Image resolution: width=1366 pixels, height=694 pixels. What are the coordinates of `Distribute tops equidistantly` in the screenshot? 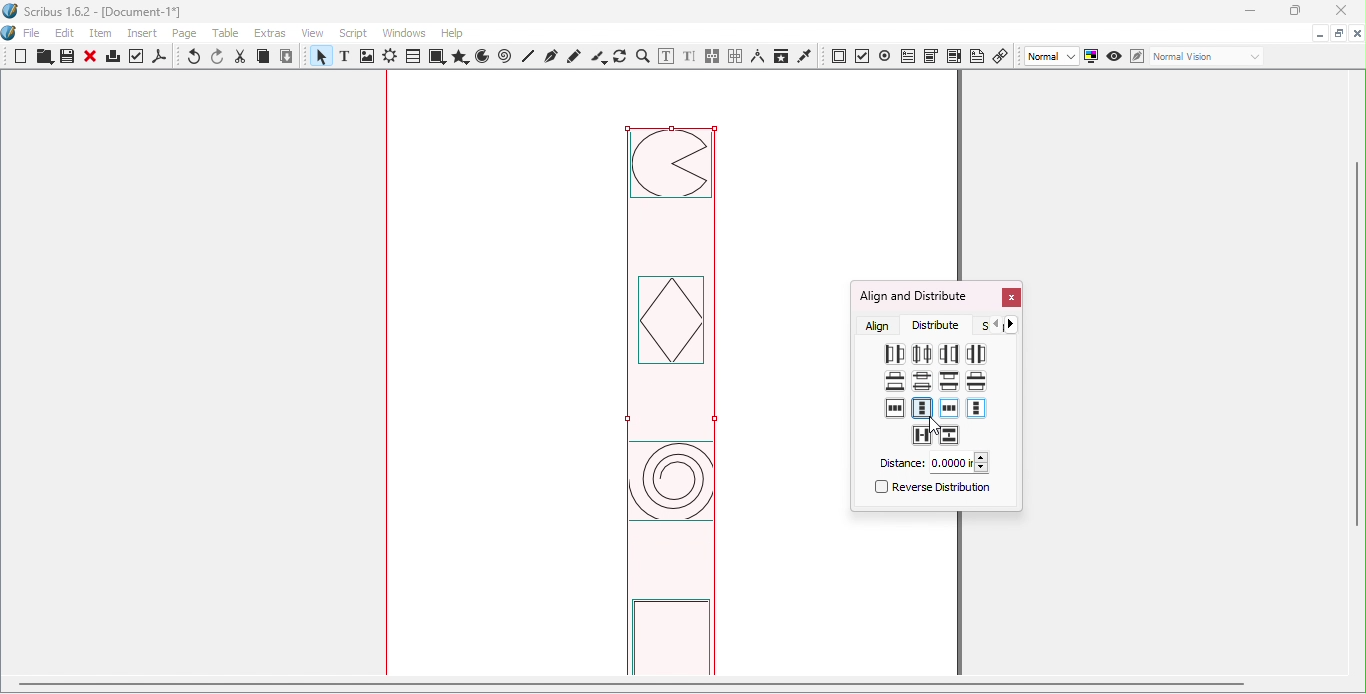 It's located at (949, 380).